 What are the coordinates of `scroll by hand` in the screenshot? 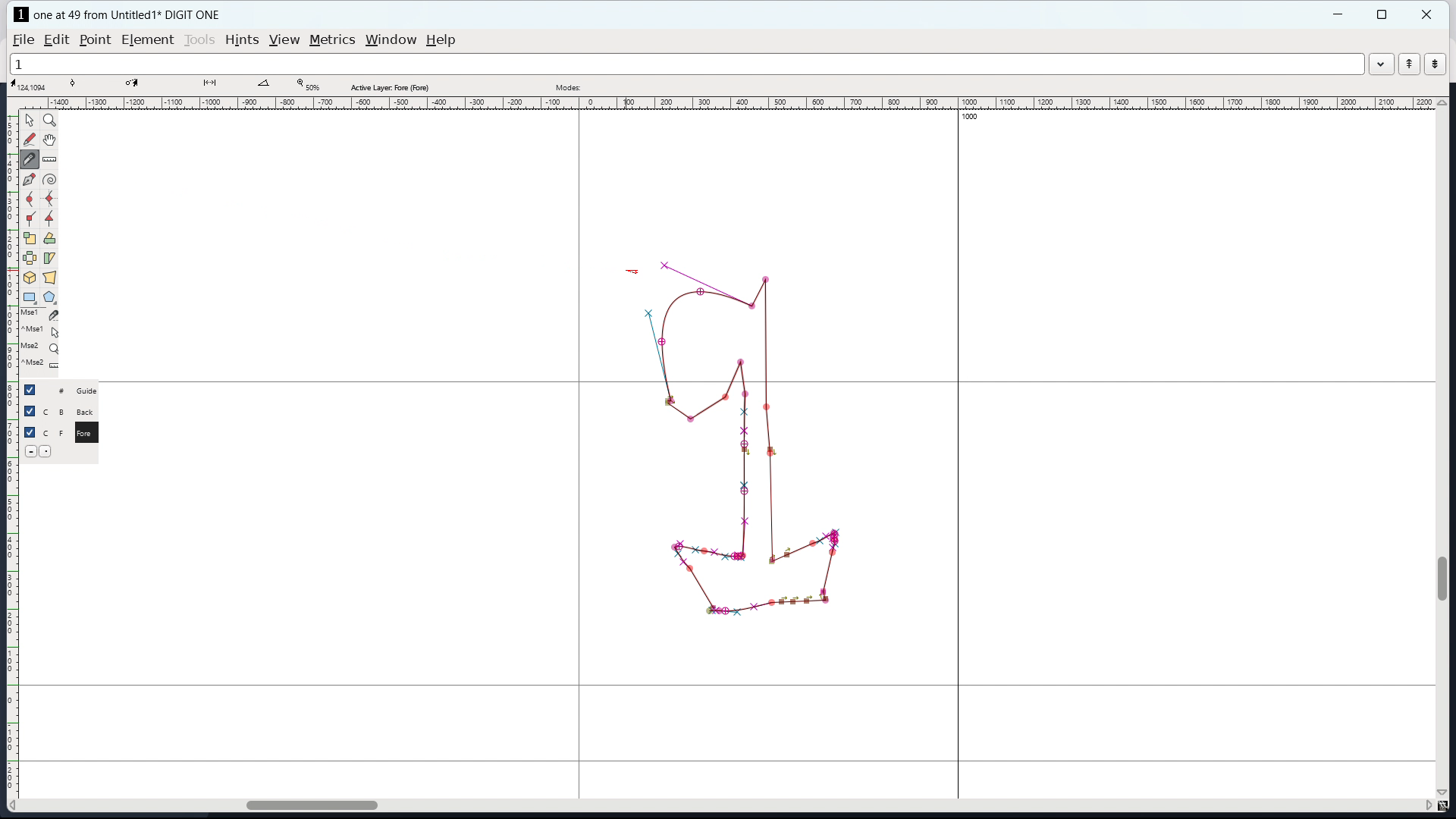 It's located at (49, 140).